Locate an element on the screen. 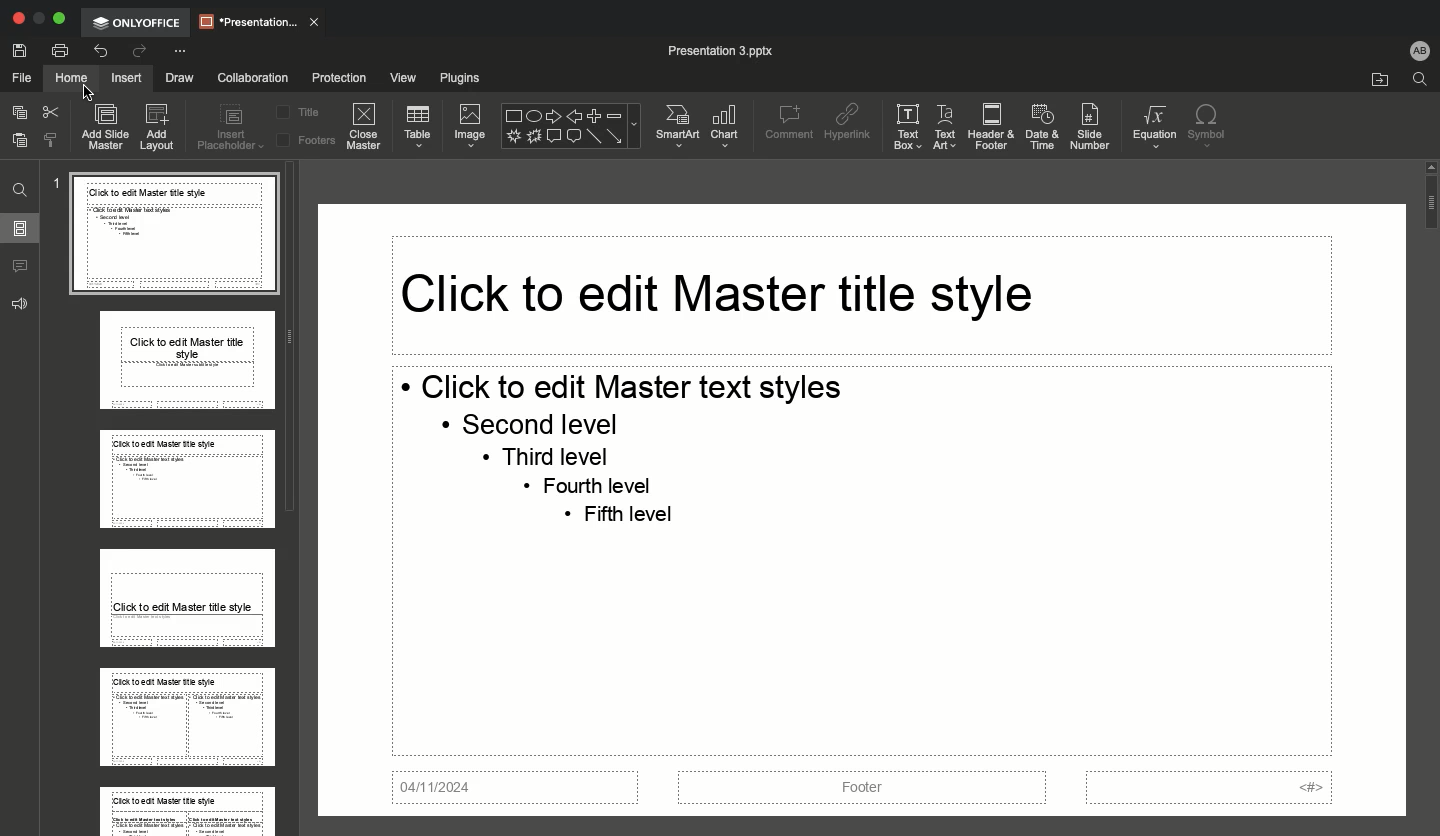 The image size is (1440, 836). Add slide master is located at coordinates (103, 126).